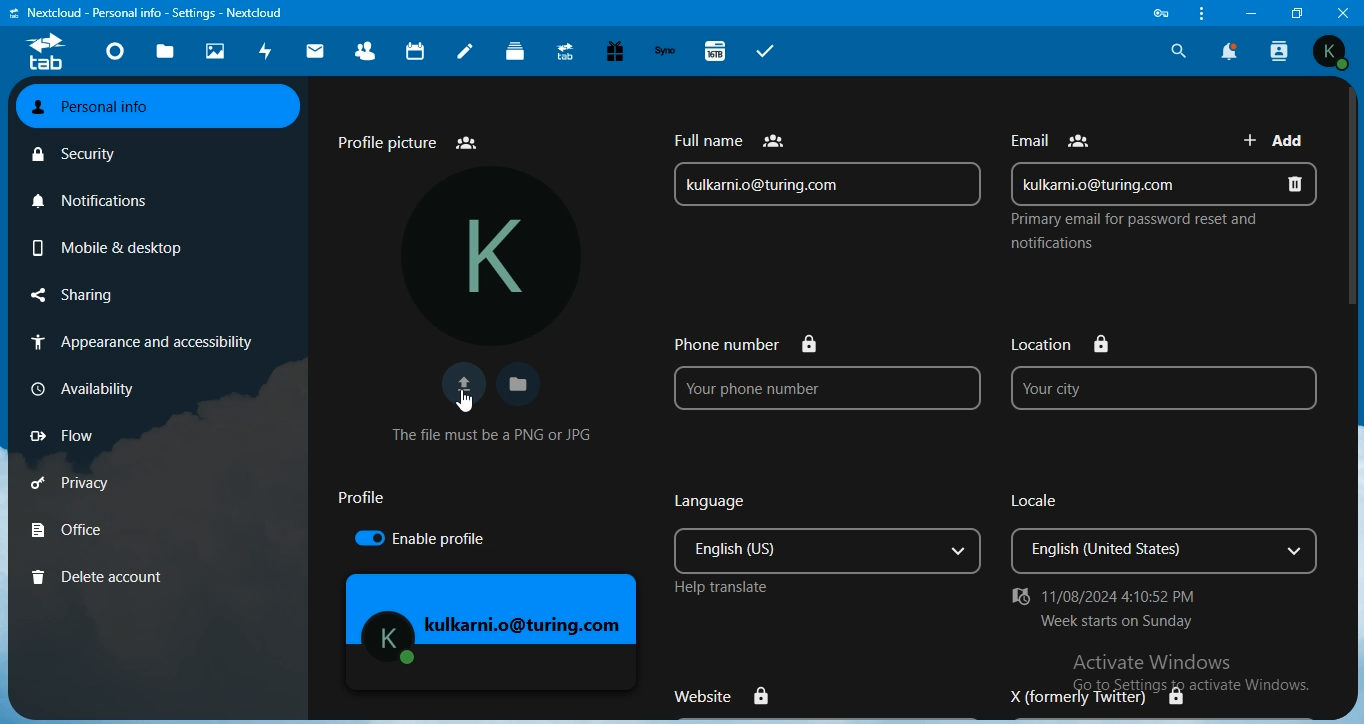 This screenshot has height=724, width=1364. I want to click on search contact, so click(1281, 51).